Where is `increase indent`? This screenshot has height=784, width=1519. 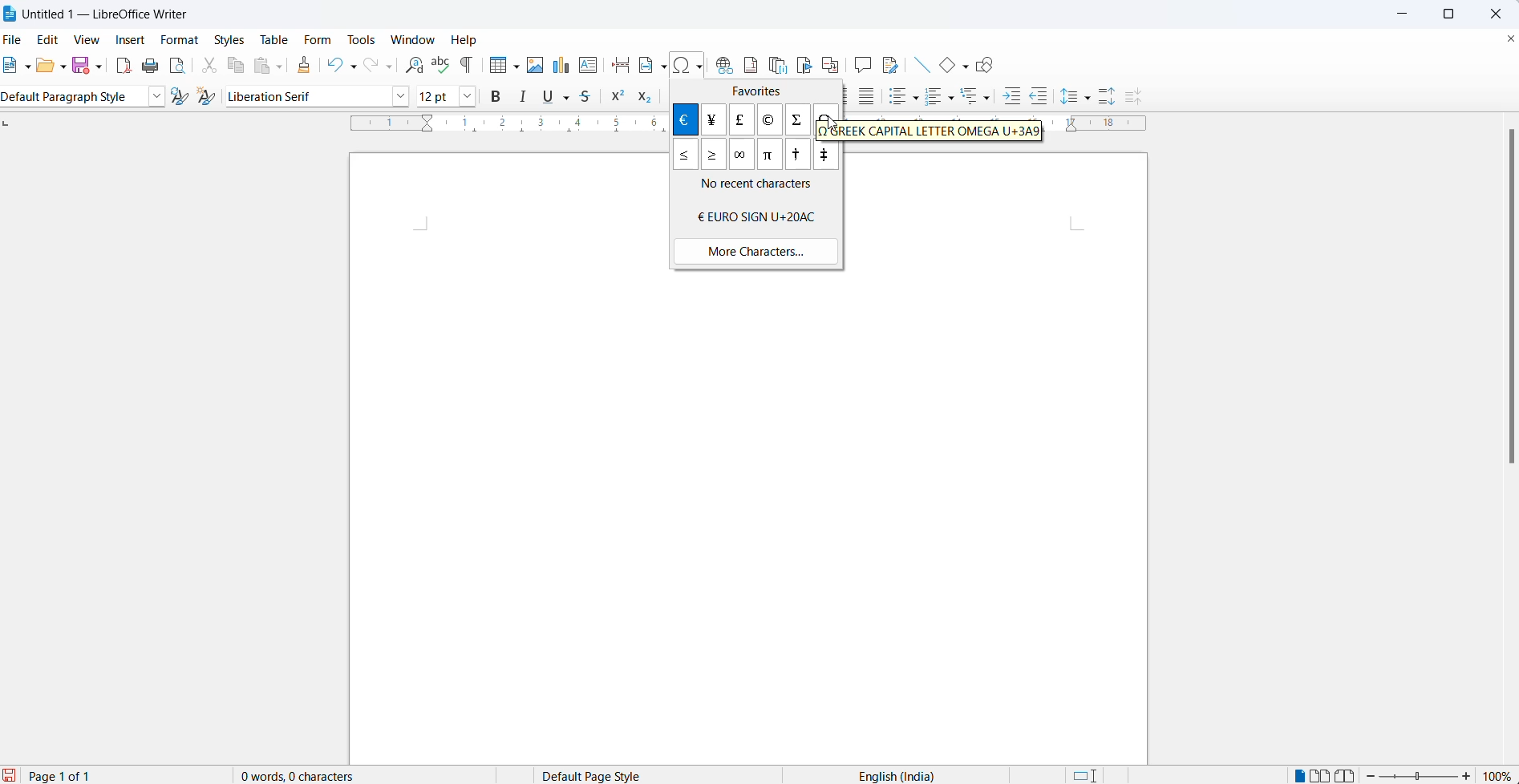
increase indent is located at coordinates (1010, 97).